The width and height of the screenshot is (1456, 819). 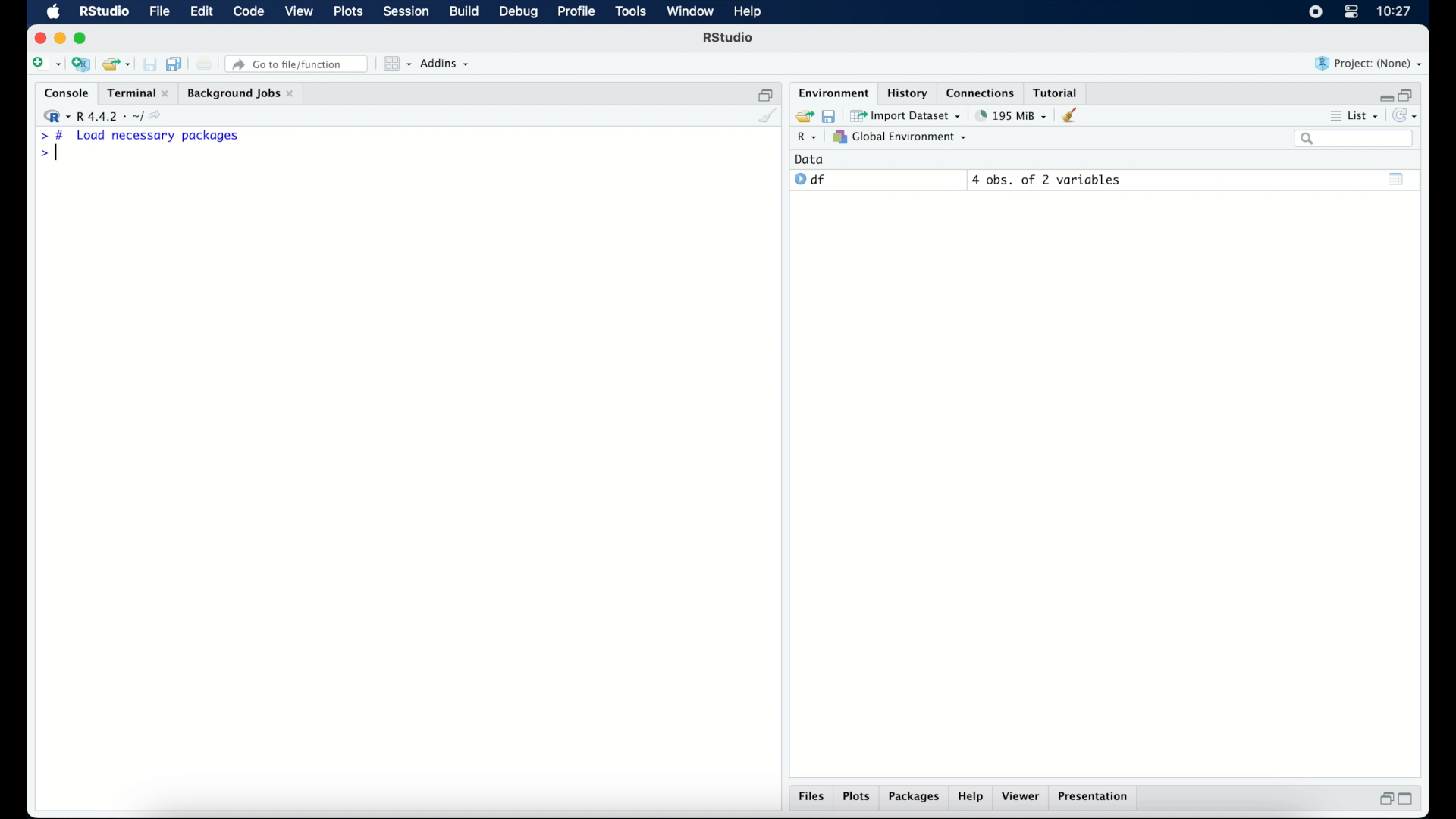 What do you see at coordinates (915, 799) in the screenshot?
I see `packages` at bounding box center [915, 799].